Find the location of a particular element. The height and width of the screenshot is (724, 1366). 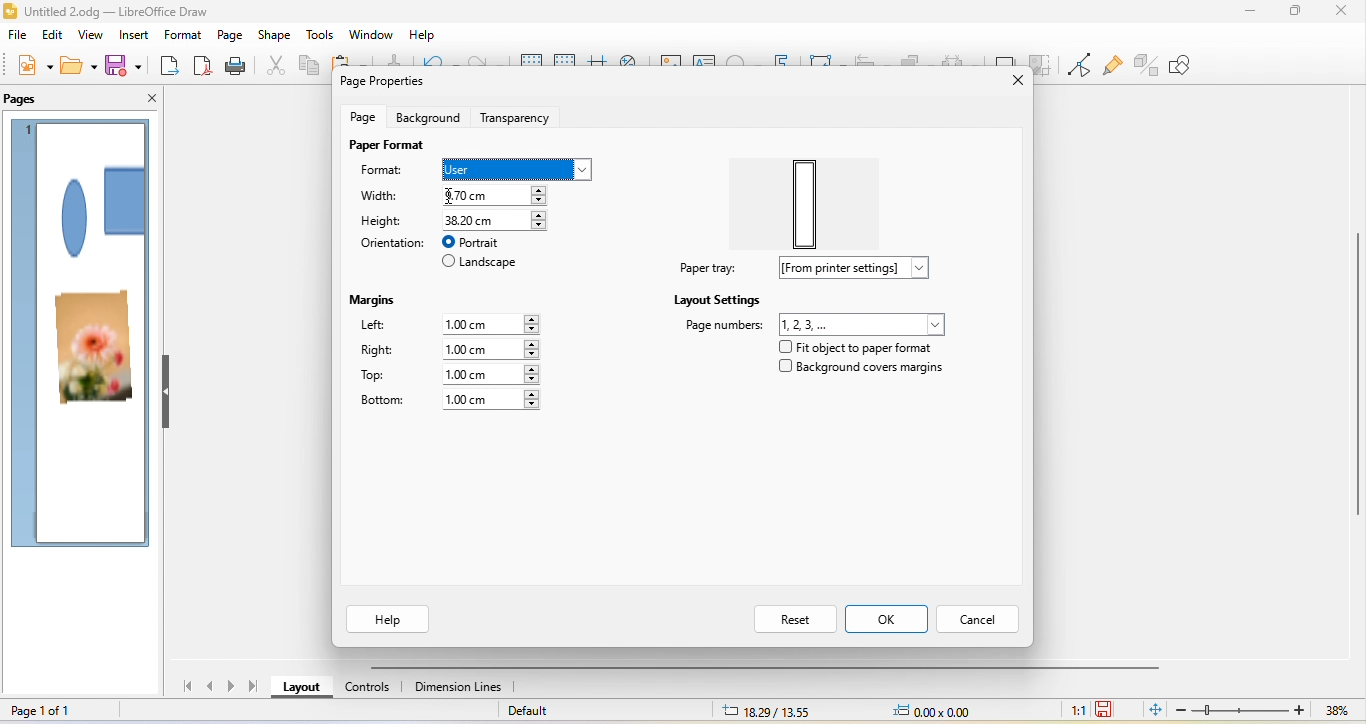

transparency is located at coordinates (515, 114).